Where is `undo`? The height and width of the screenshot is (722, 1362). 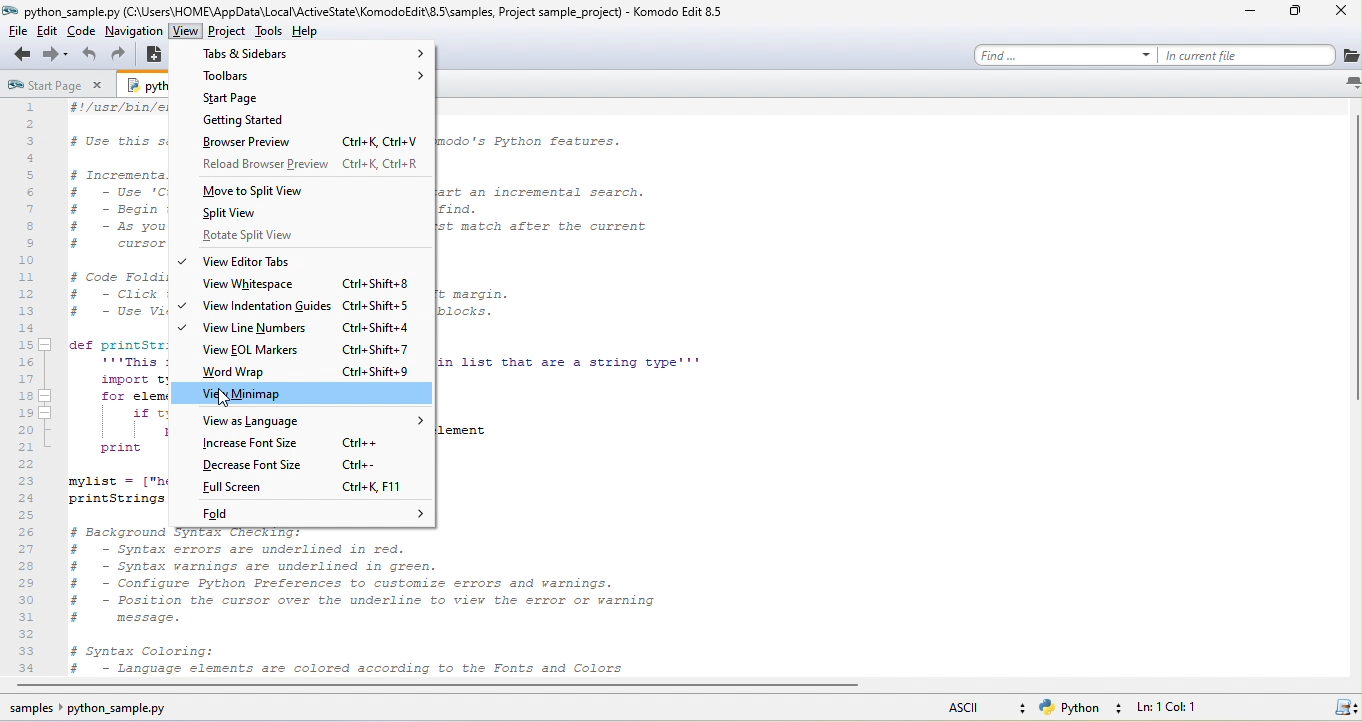 undo is located at coordinates (90, 57).